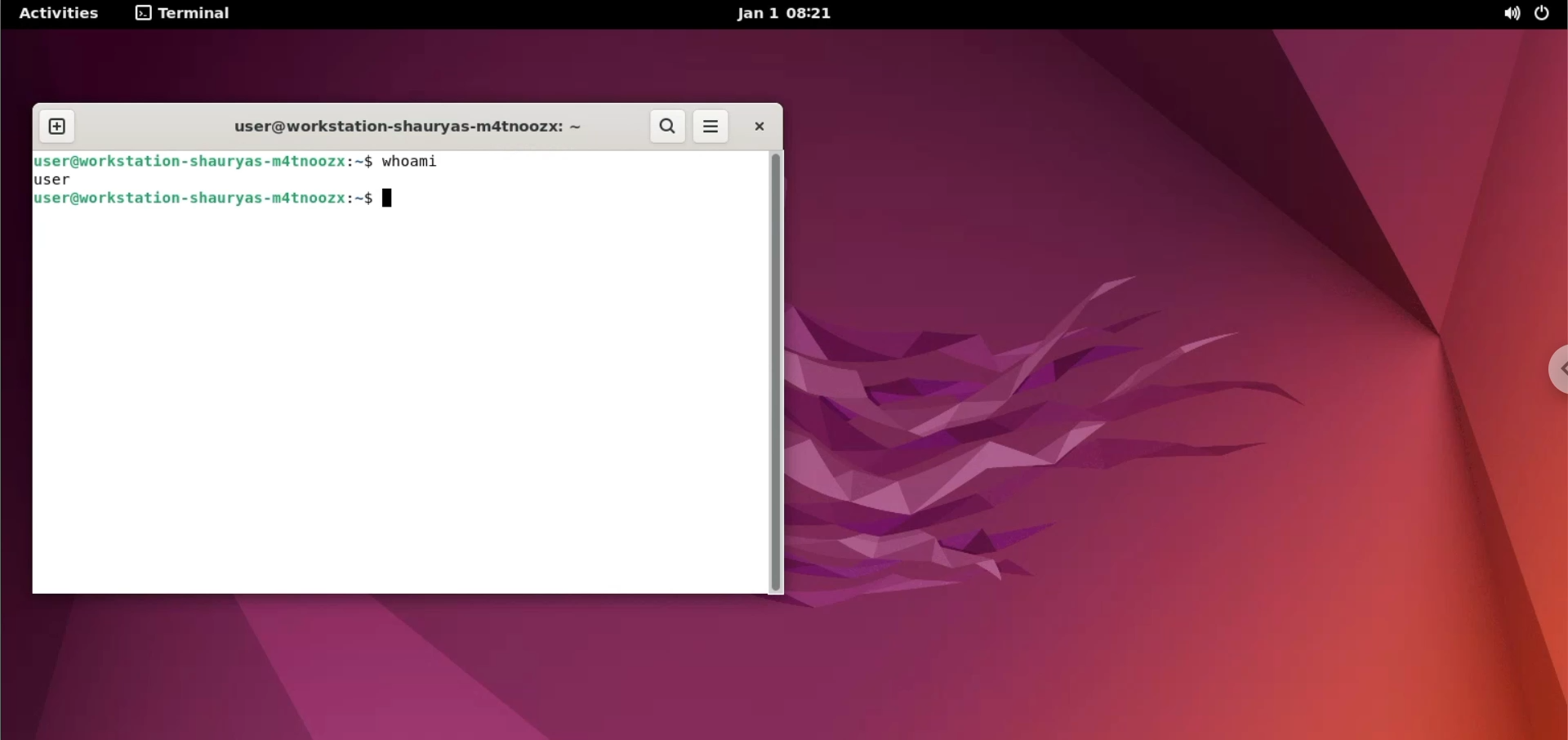 This screenshot has width=1568, height=740. Describe the element at coordinates (669, 127) in the screenshot. I see `search` at that location.